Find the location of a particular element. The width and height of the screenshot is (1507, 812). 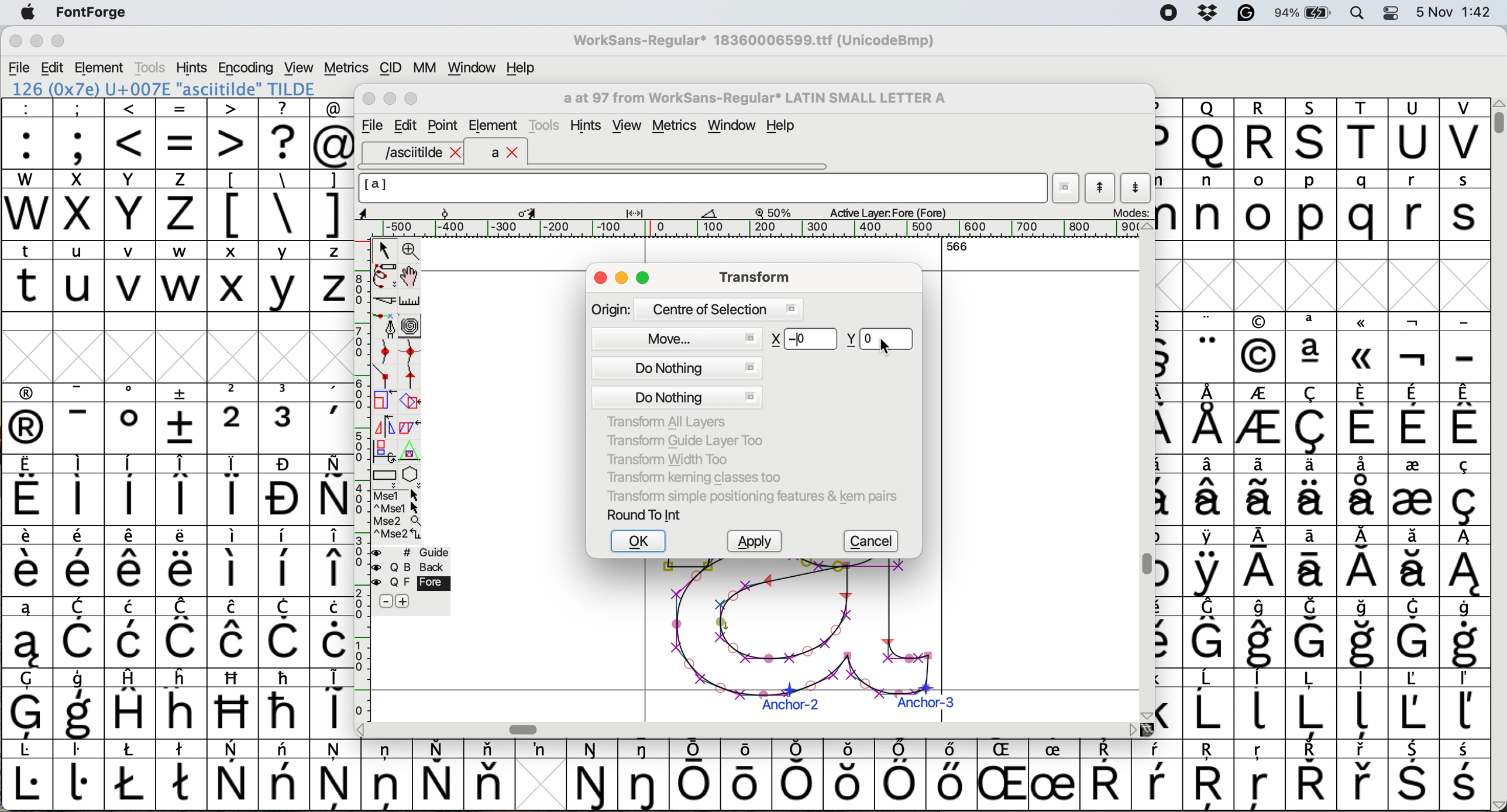

close is located at coordinates (15, 43).